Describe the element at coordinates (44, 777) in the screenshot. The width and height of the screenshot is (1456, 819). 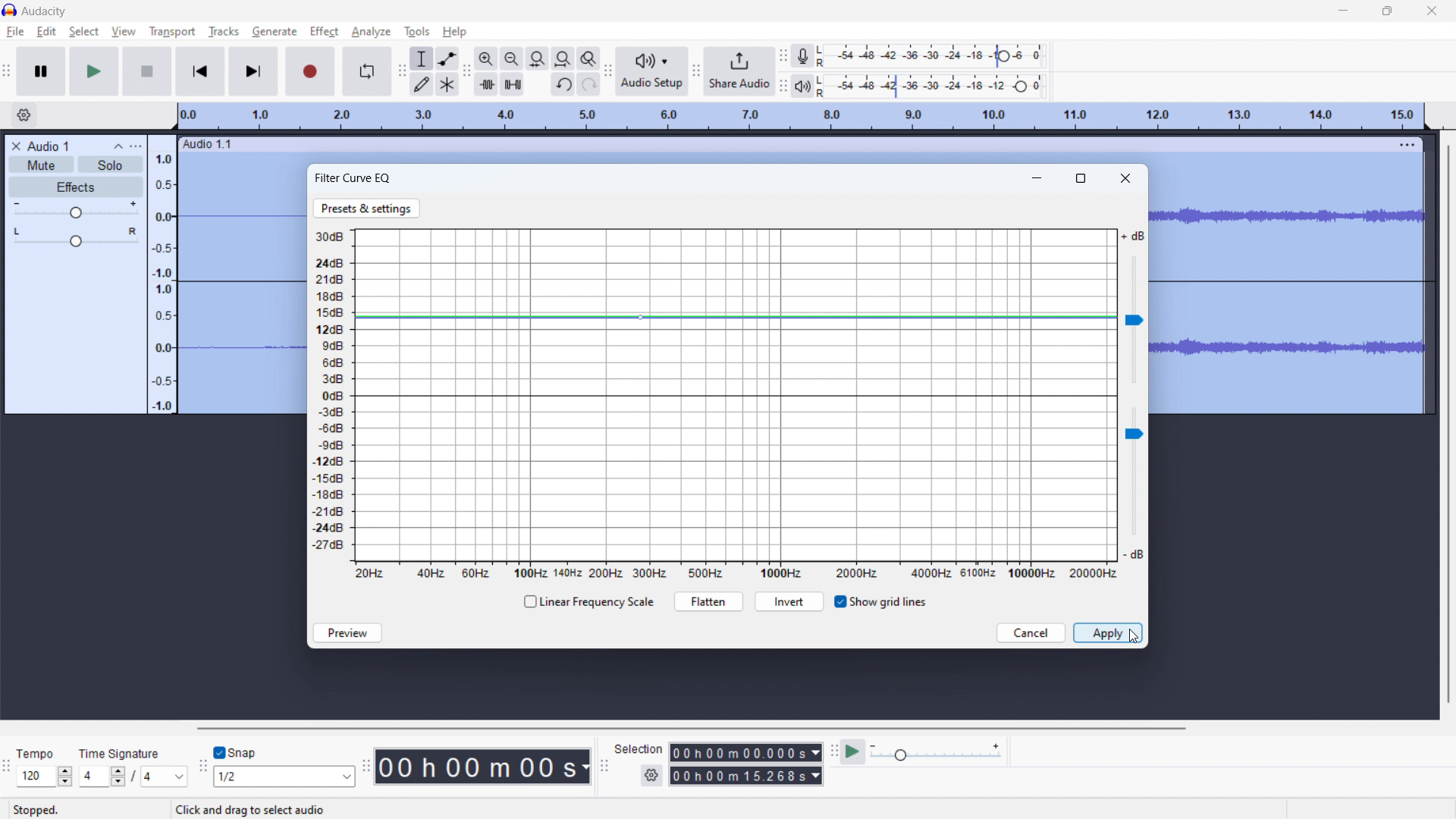
I see `120 (select tempo )` at that location.